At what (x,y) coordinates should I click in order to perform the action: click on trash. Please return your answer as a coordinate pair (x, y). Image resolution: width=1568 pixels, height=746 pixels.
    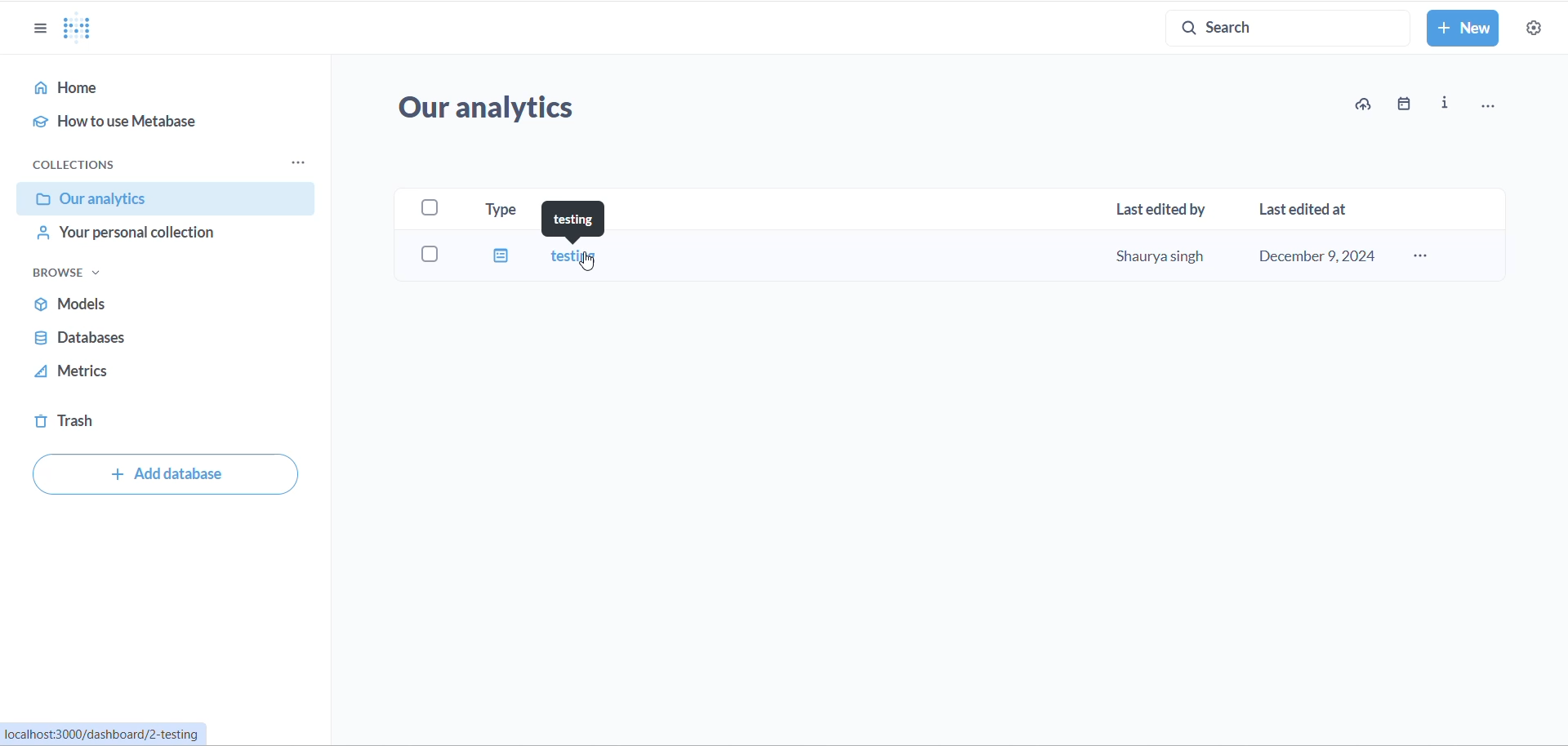
    Looking at the image, I should click on (141, 421).